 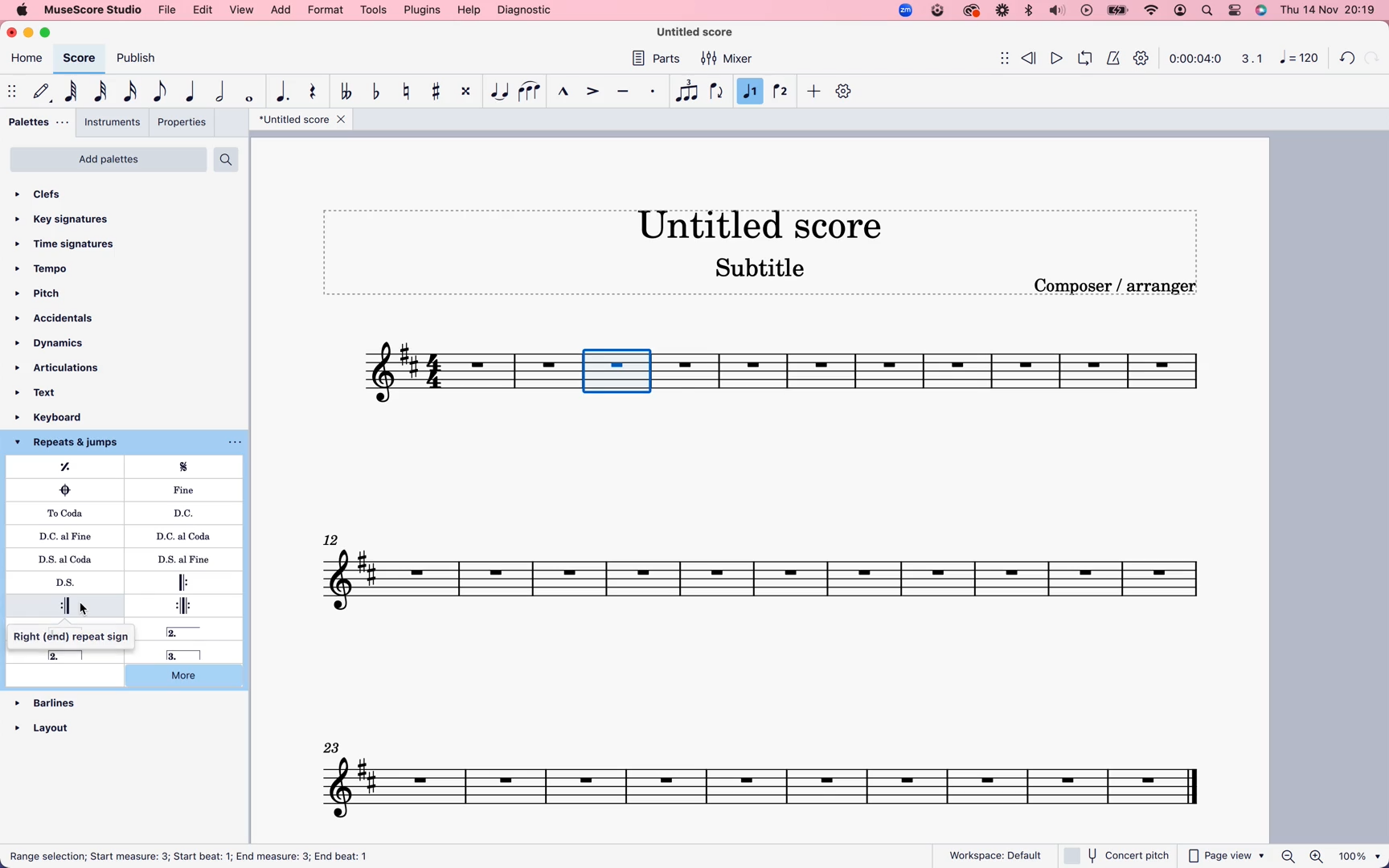 I want to click on rest, so click(x=314, y=93).